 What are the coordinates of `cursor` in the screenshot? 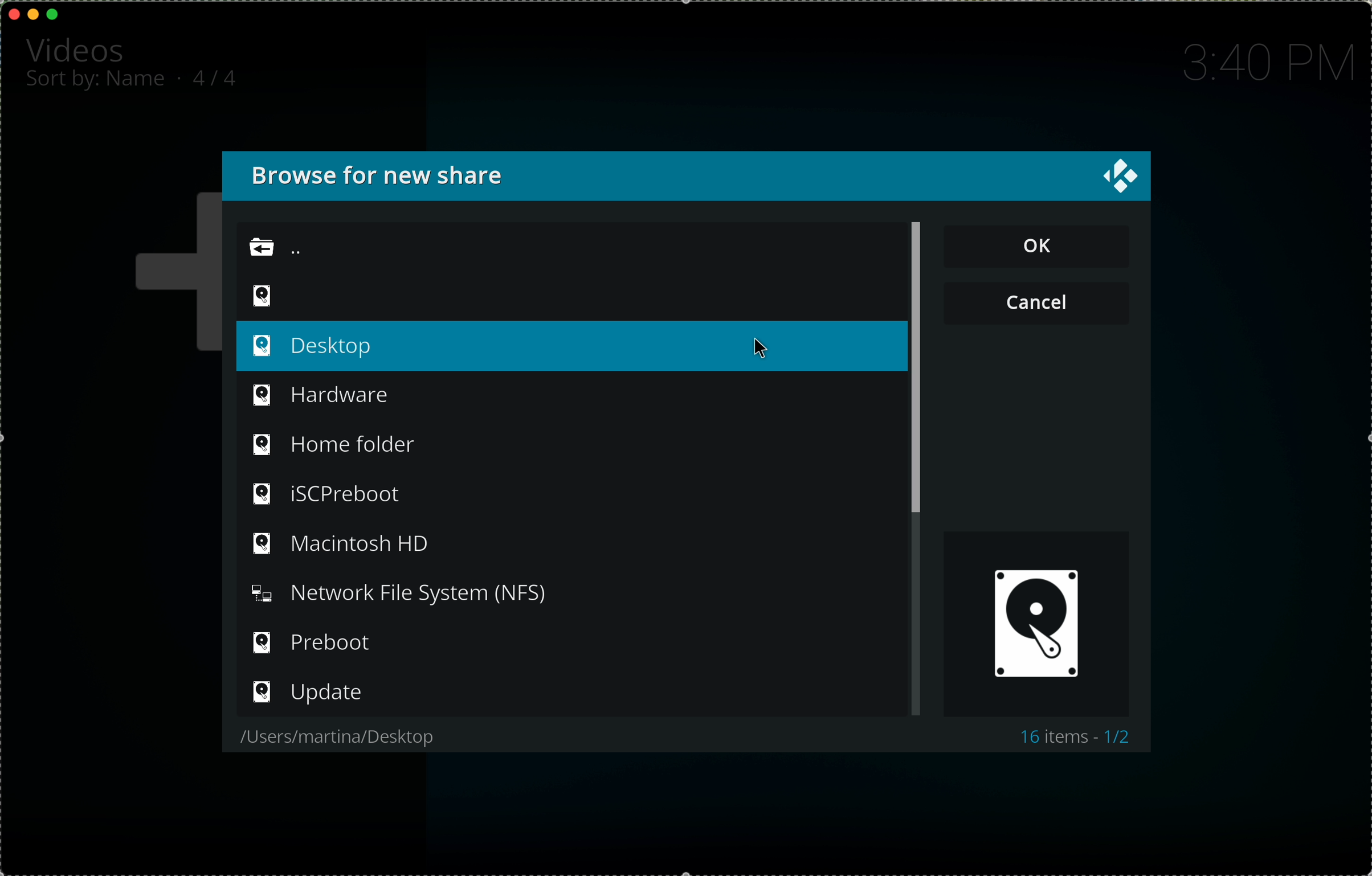 It's located at (756, 354).